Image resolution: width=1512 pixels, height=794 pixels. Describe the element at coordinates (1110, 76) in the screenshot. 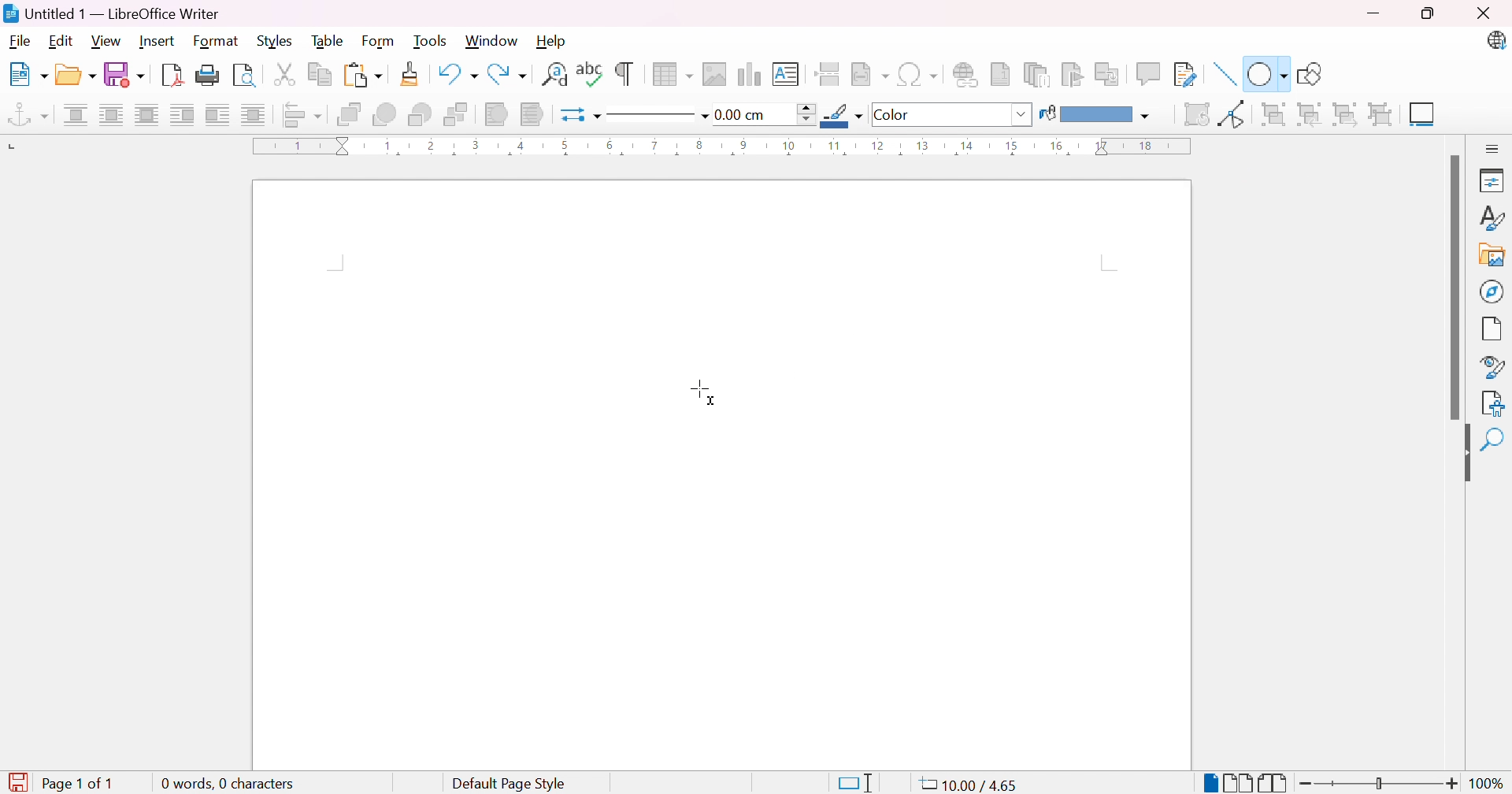

I see `Insert cross-reference` at that location.